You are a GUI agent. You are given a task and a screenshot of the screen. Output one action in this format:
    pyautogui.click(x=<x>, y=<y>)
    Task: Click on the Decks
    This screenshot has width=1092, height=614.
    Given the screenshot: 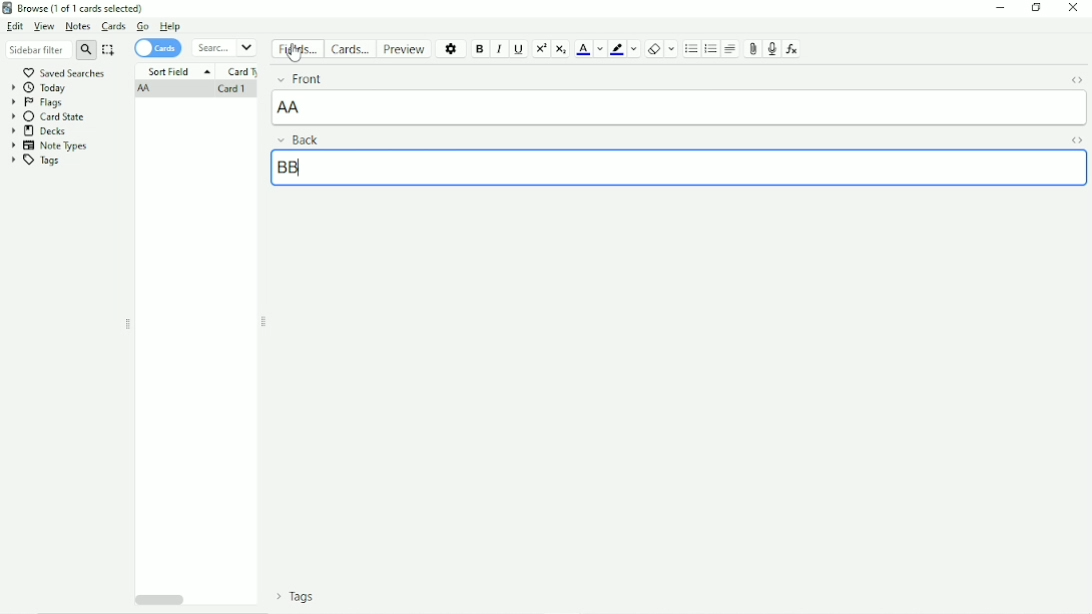 What is the action you would take?
    pyautogui.click(x=39, y=131)
    